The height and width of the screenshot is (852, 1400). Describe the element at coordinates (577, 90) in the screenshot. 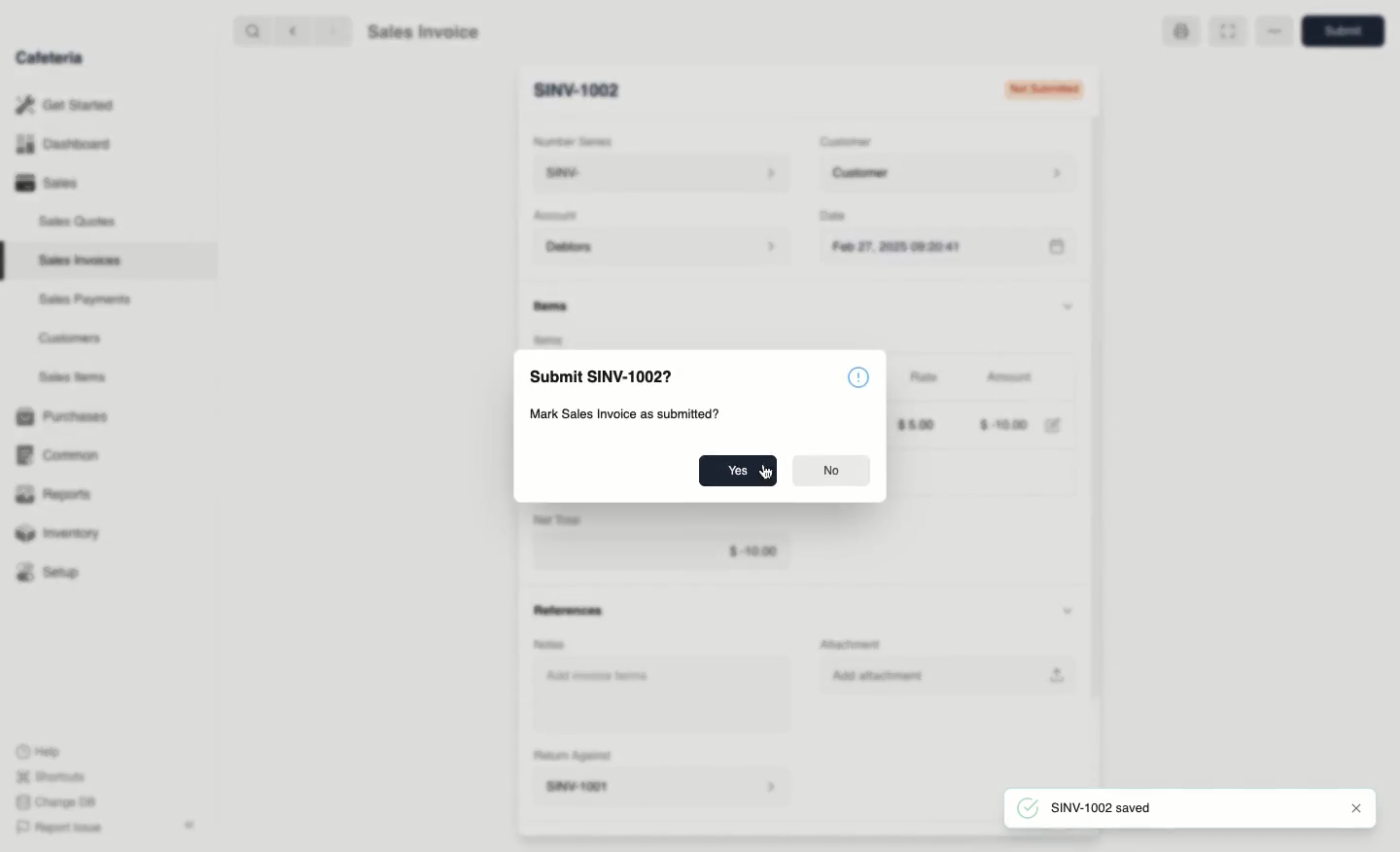

I see `SINV-1001` at that location.